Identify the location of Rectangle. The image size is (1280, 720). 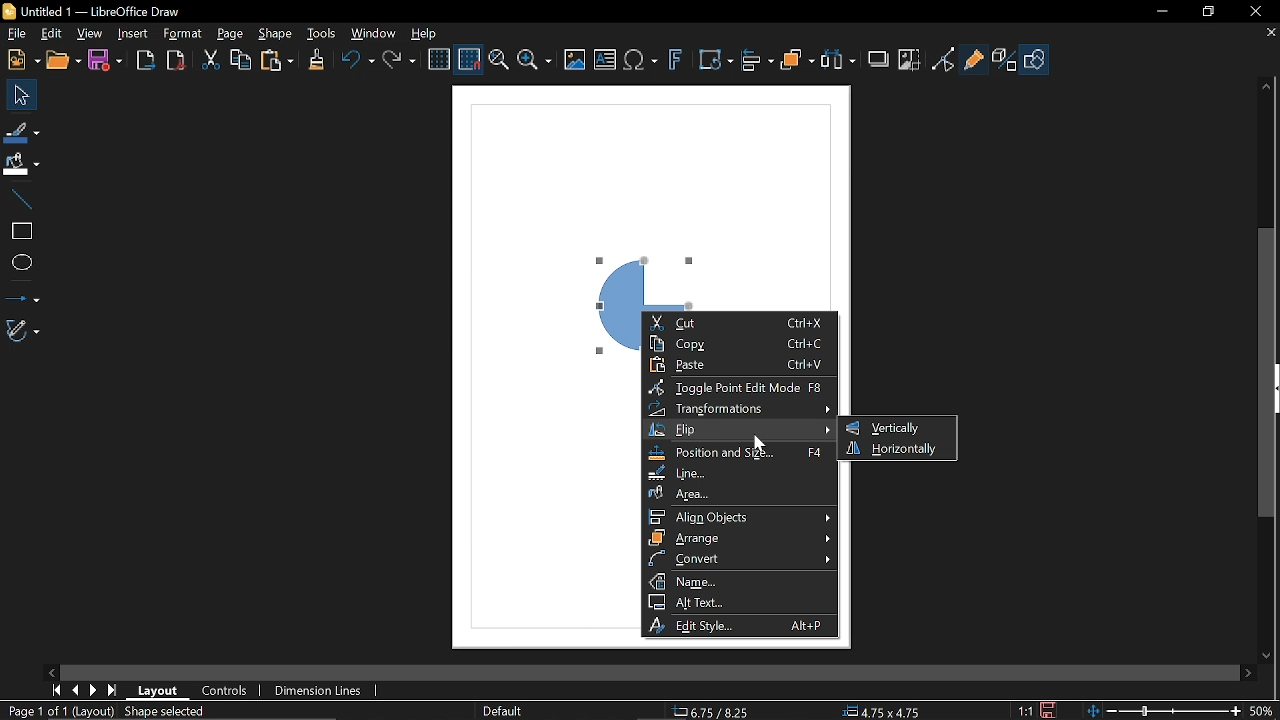
(19, 229).